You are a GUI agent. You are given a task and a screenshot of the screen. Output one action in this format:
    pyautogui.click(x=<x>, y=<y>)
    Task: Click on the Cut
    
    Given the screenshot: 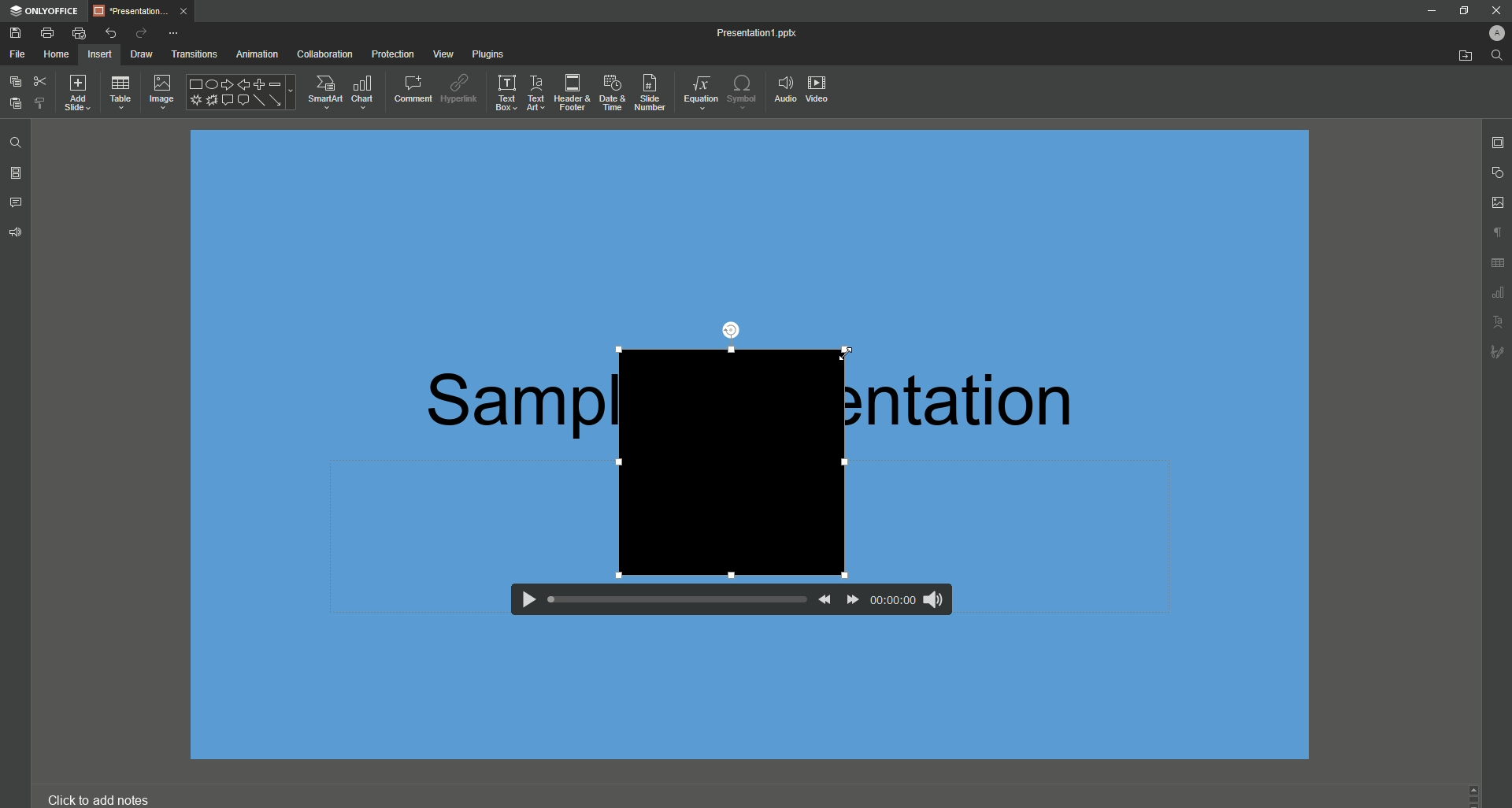 What is the action you would take?
    pyautogui.click(x=39, y=80)
    